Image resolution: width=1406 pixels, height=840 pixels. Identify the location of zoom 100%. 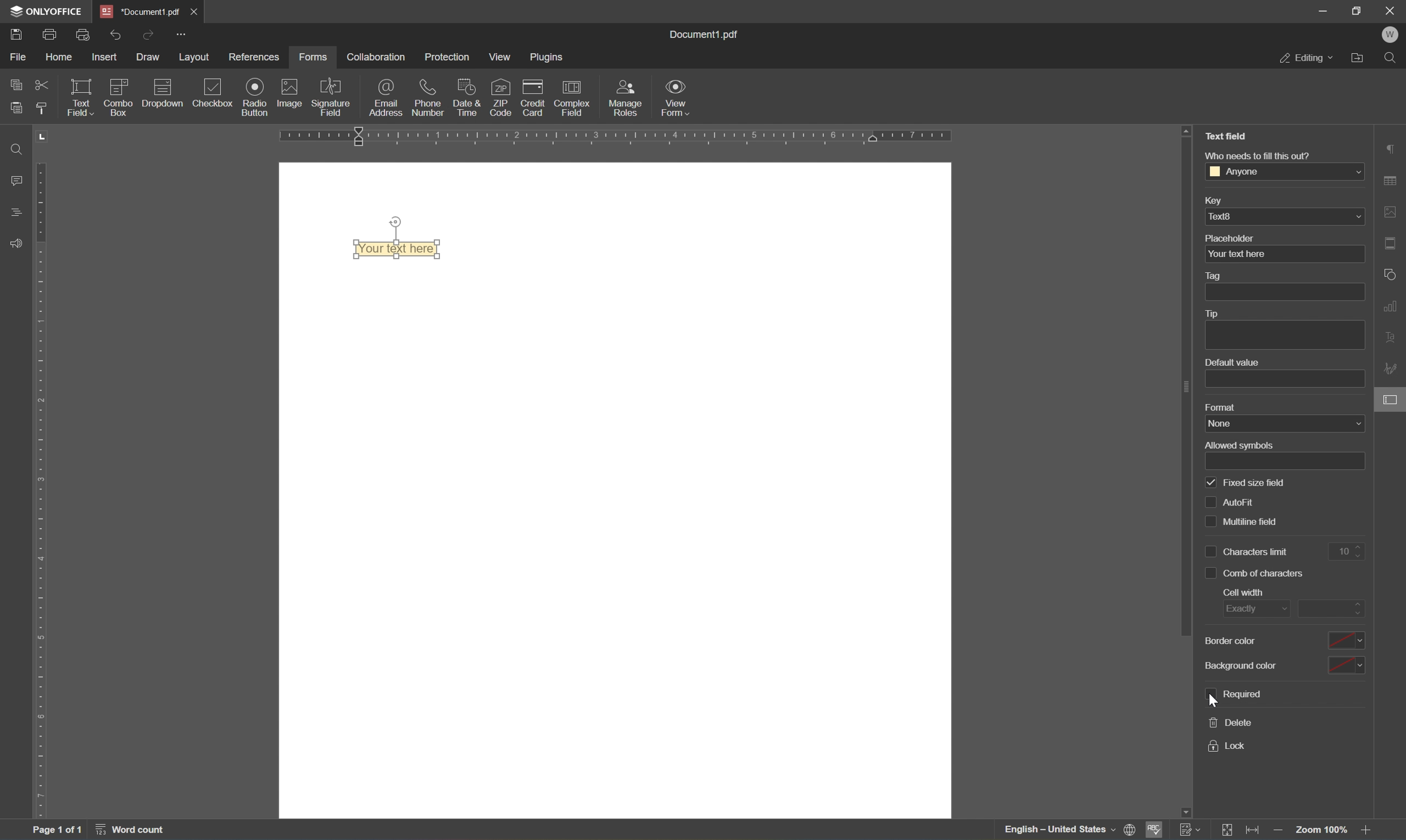
(1322, 831).